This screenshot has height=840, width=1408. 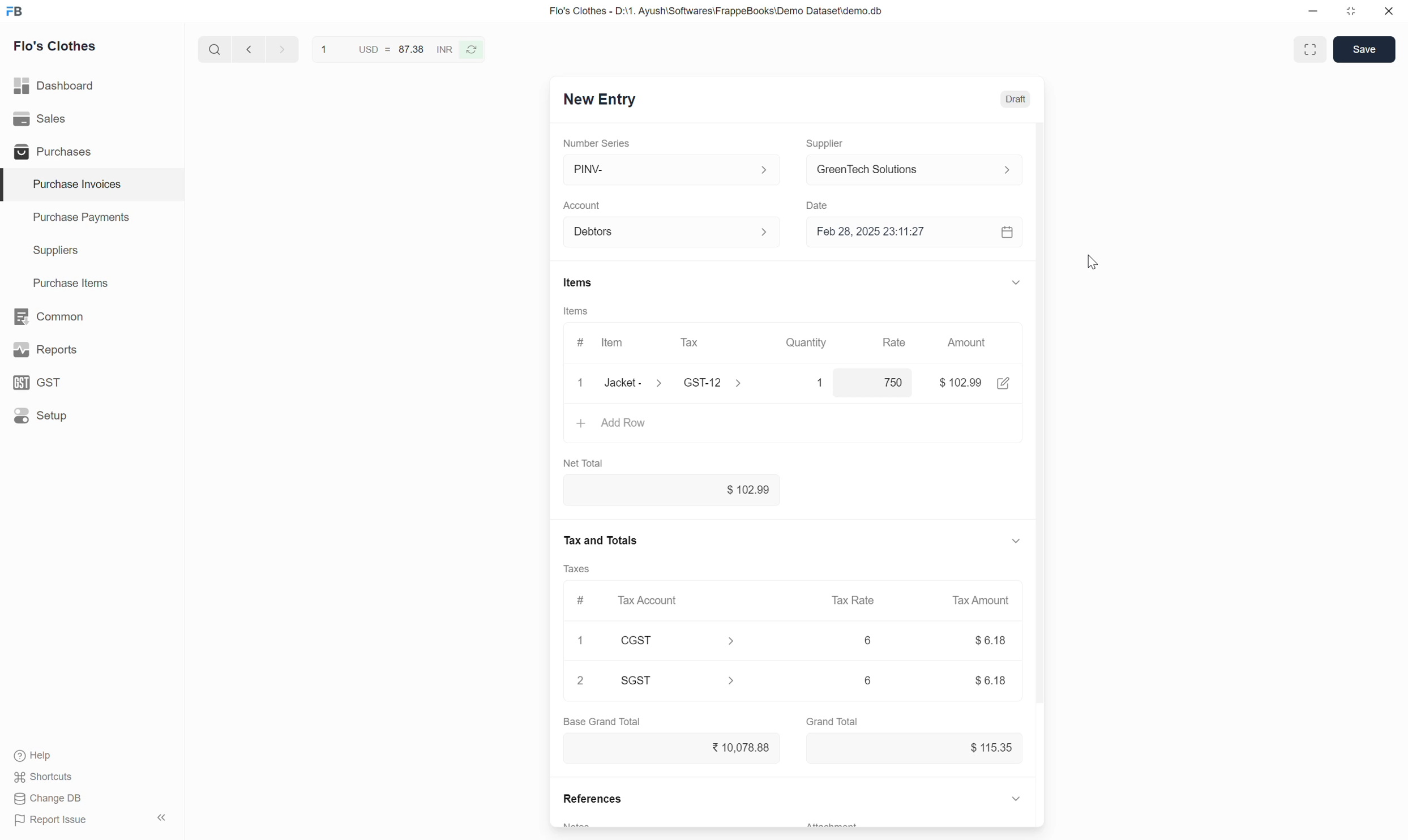 I want to click on Toggle between form and full width, so click(x=1311, y=49).